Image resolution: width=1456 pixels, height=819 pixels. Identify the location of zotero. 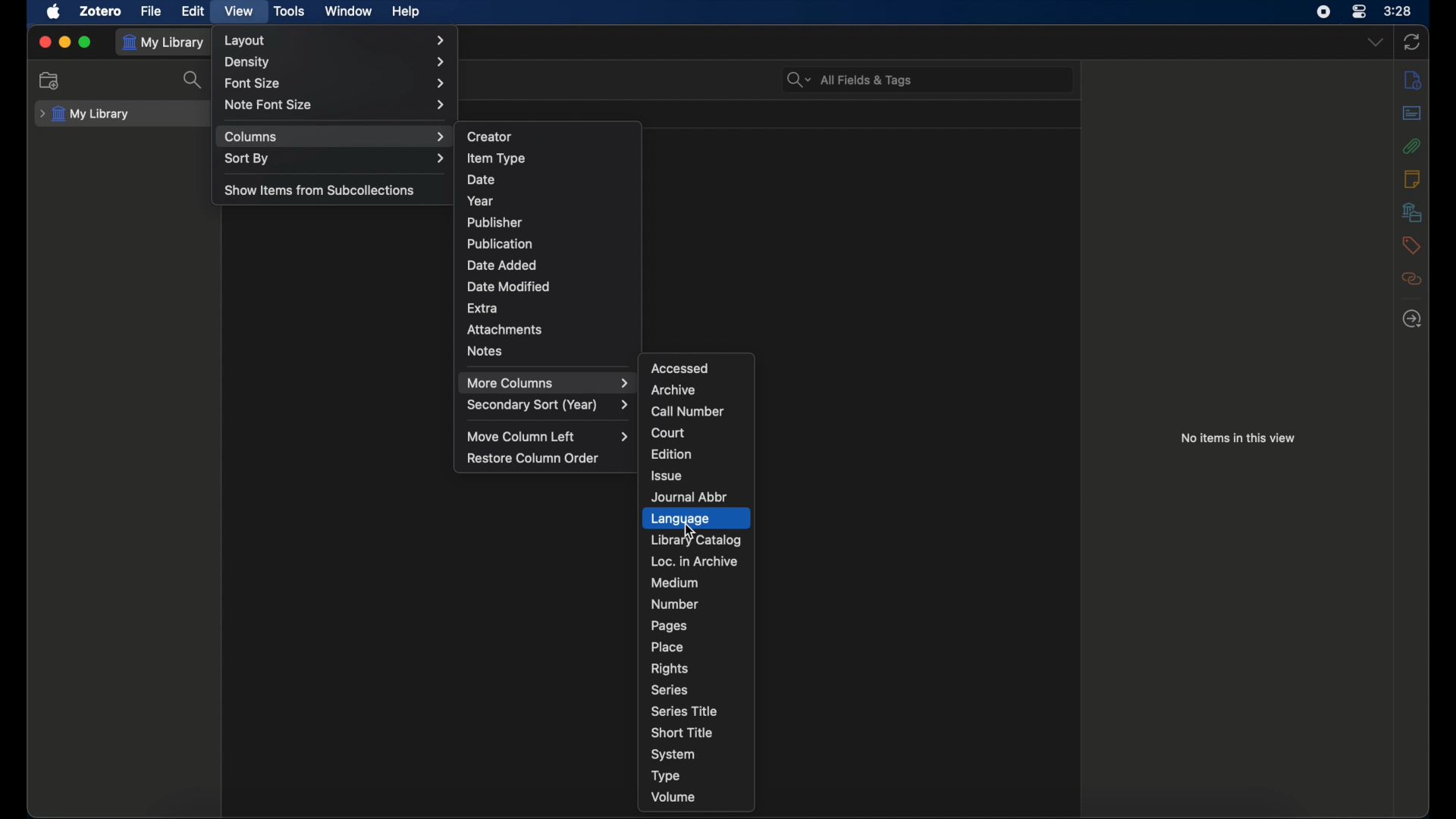
(100, 11).